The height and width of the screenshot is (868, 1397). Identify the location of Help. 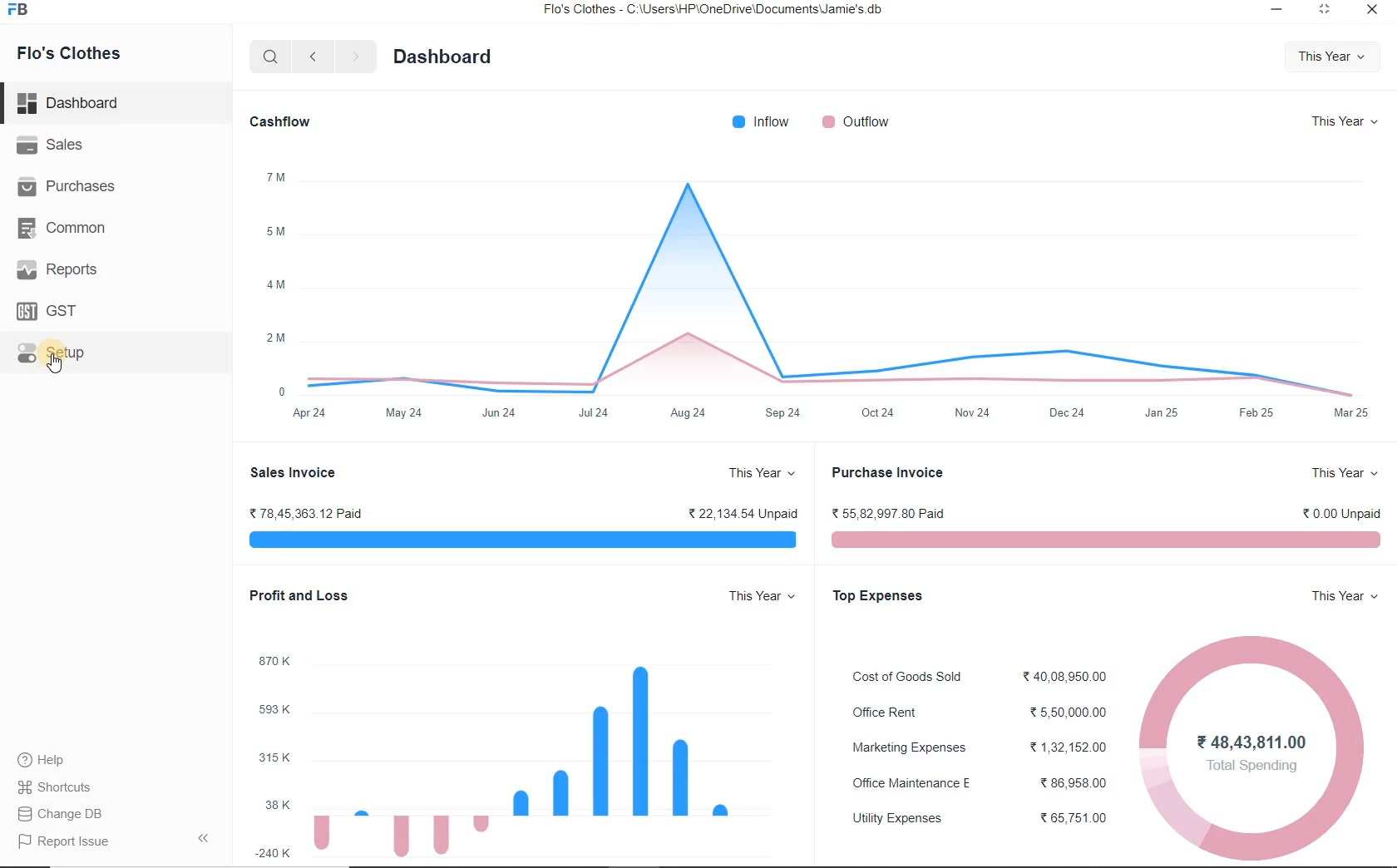
(47, 762).